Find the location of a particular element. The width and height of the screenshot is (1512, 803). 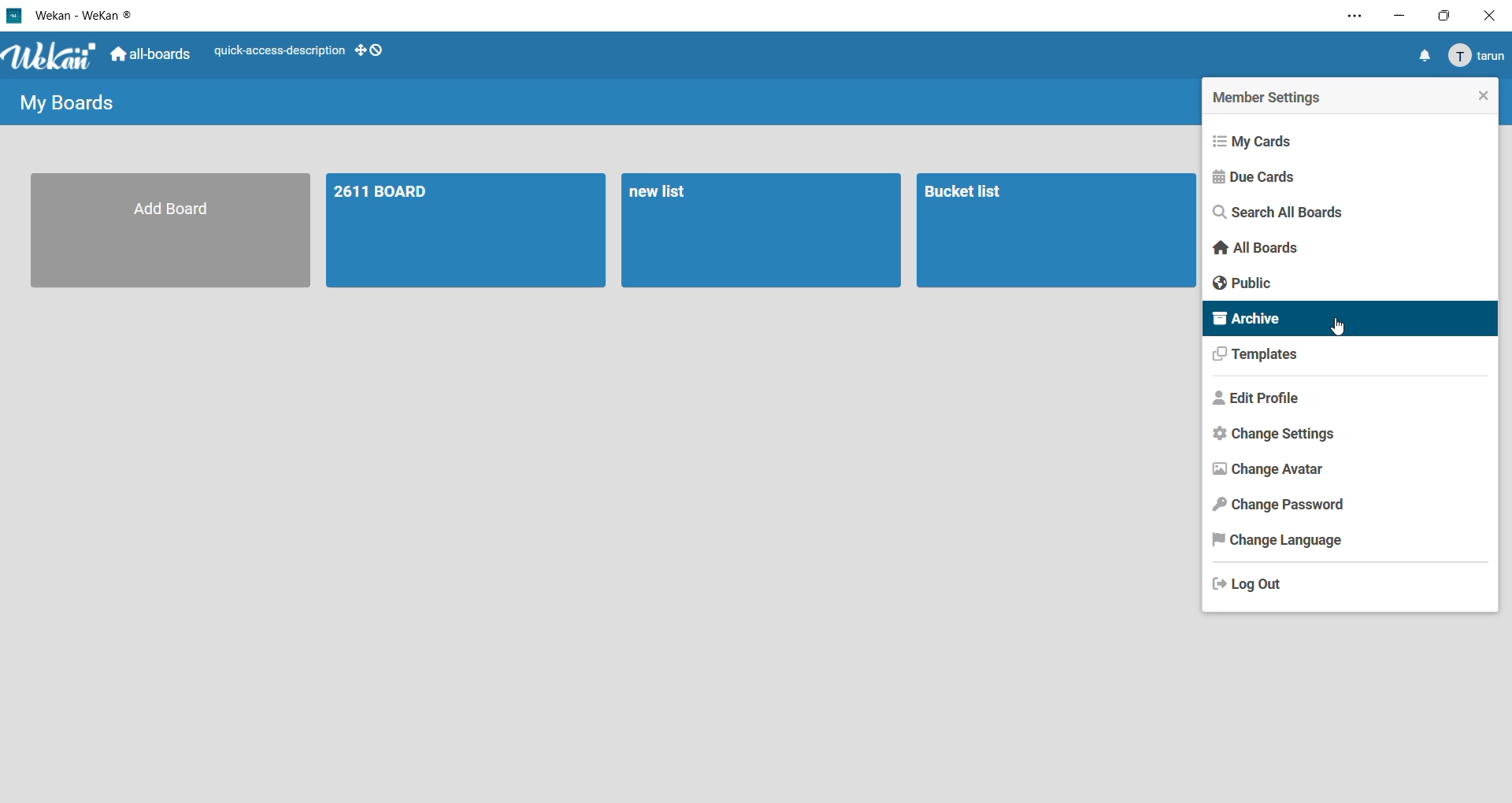

my cards is located at coordinates (1261, 139).